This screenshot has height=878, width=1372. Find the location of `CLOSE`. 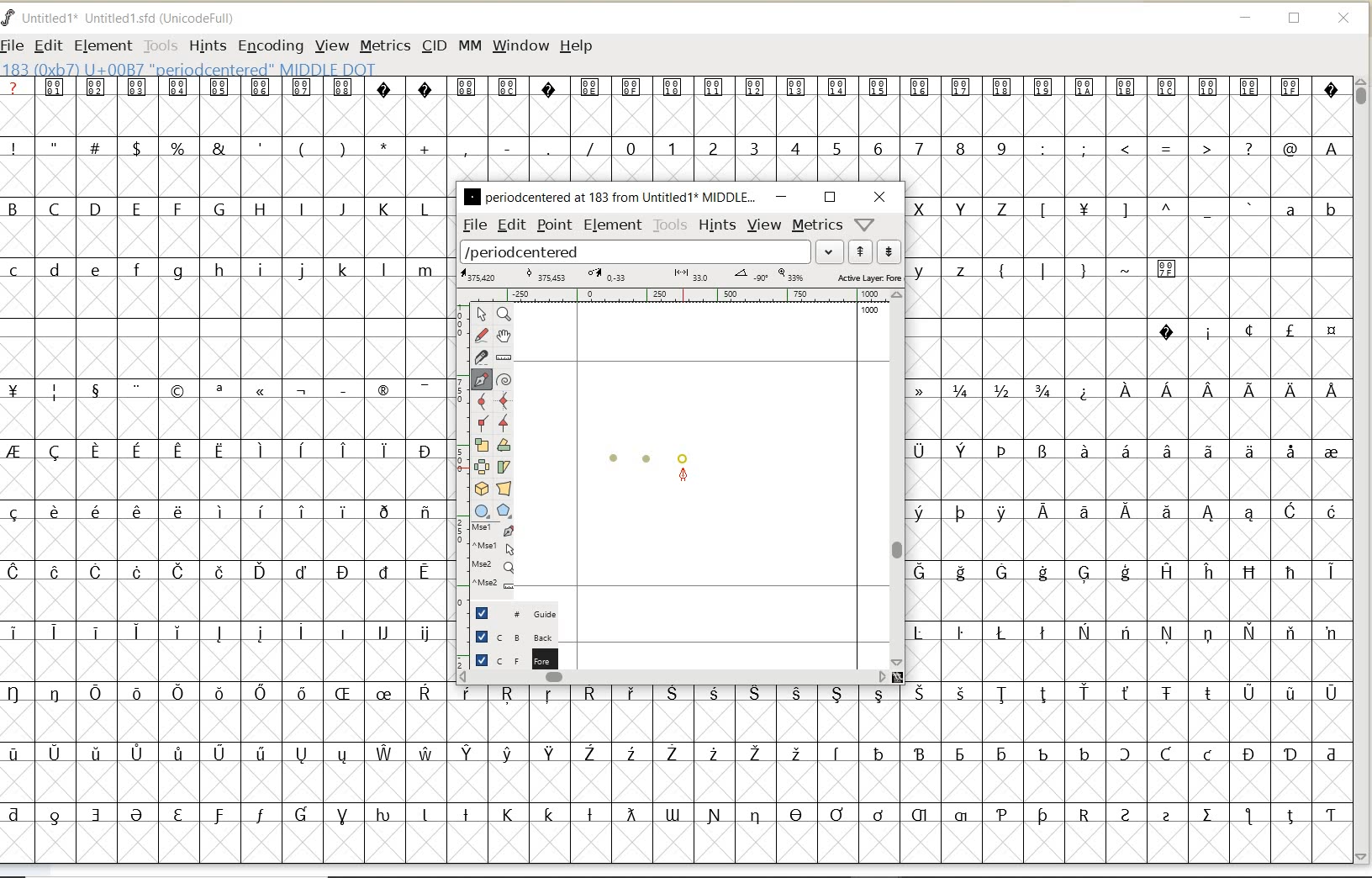

CLOSE is located at coordinates (1345, 19).